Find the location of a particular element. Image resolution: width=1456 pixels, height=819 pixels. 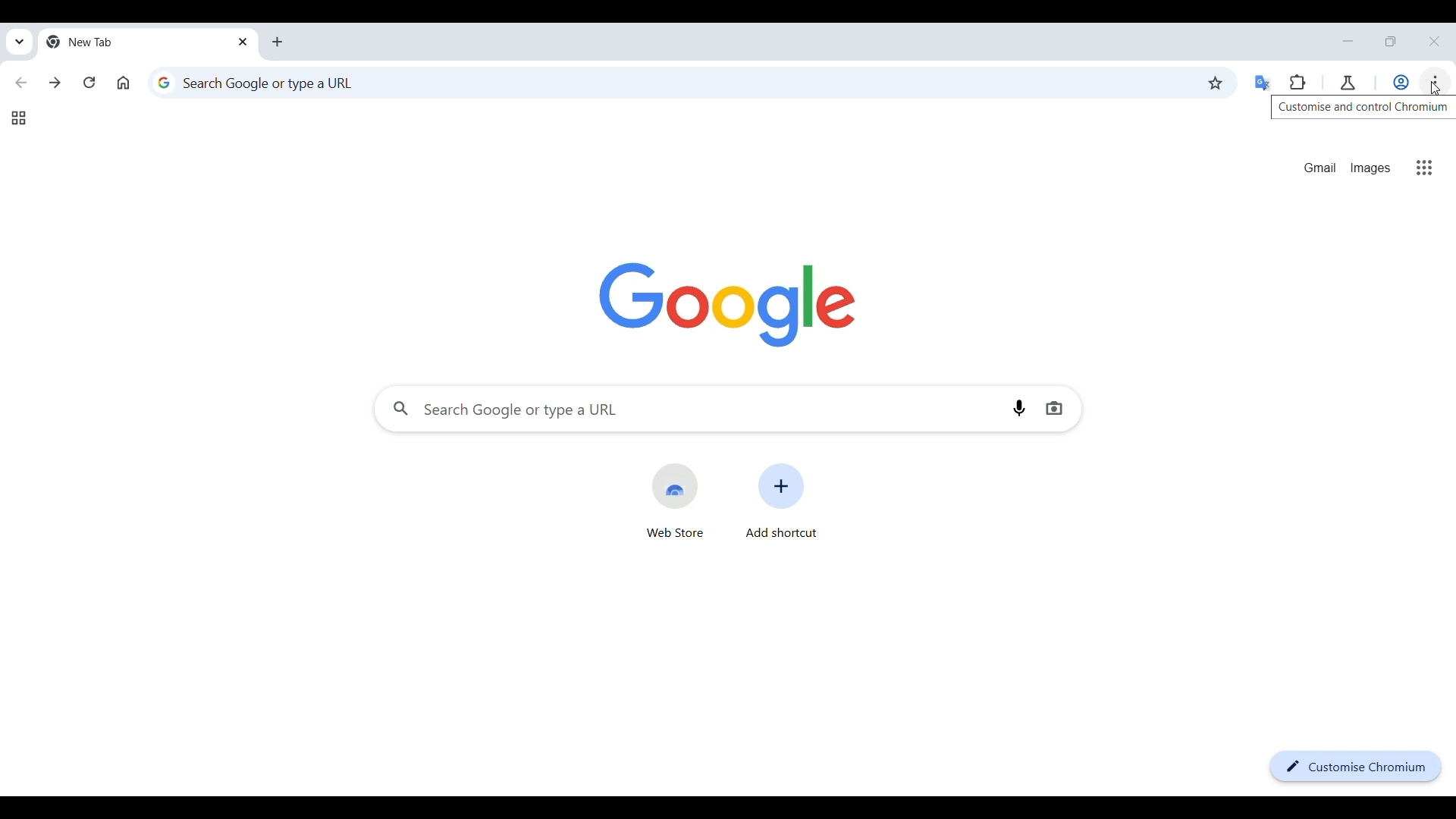

Bookmark this tab is located at coordinates (1216, 83).